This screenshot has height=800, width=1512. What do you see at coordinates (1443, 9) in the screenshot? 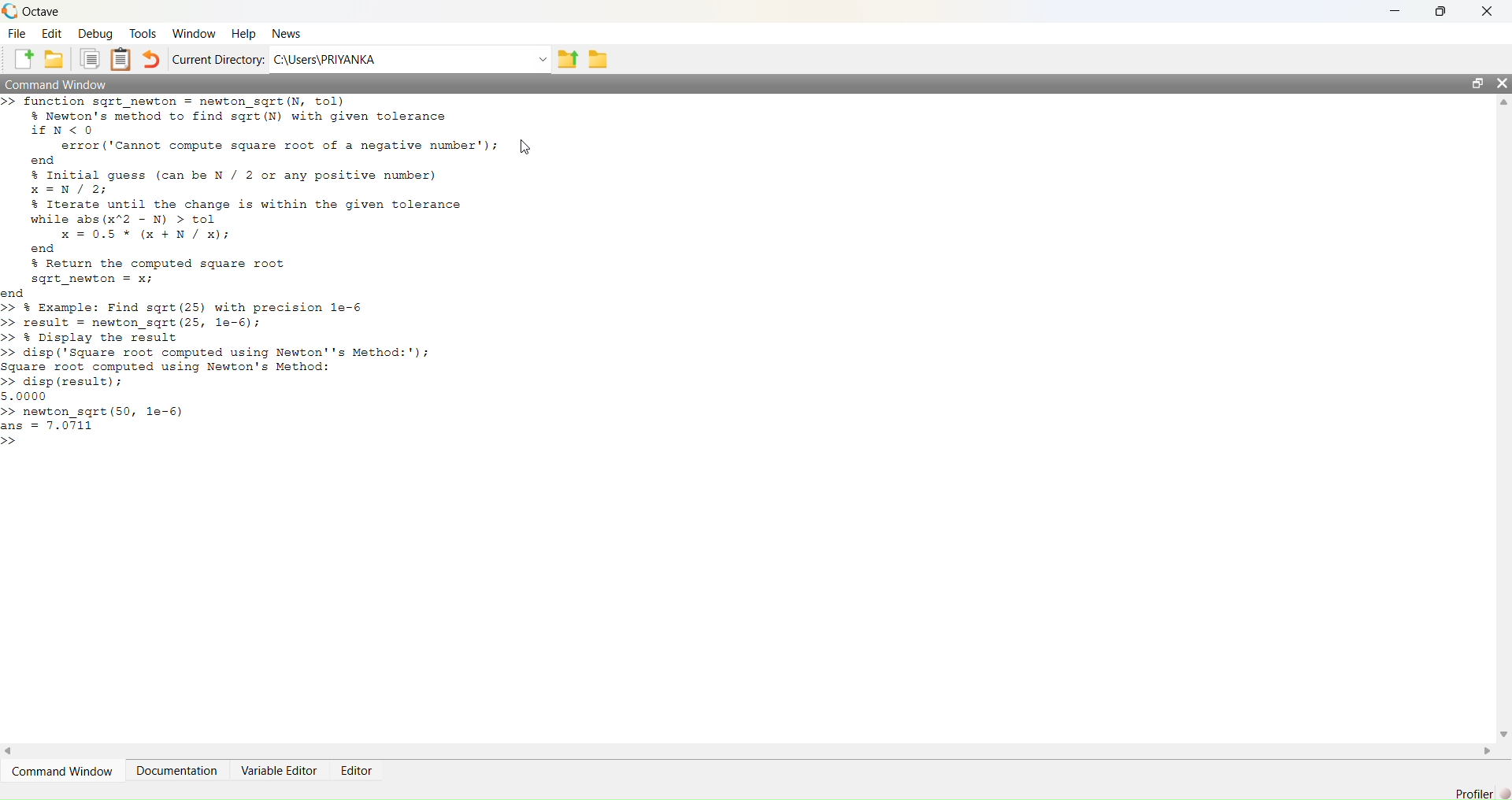
I see `Maximize` at bounding box center [1443, 9].